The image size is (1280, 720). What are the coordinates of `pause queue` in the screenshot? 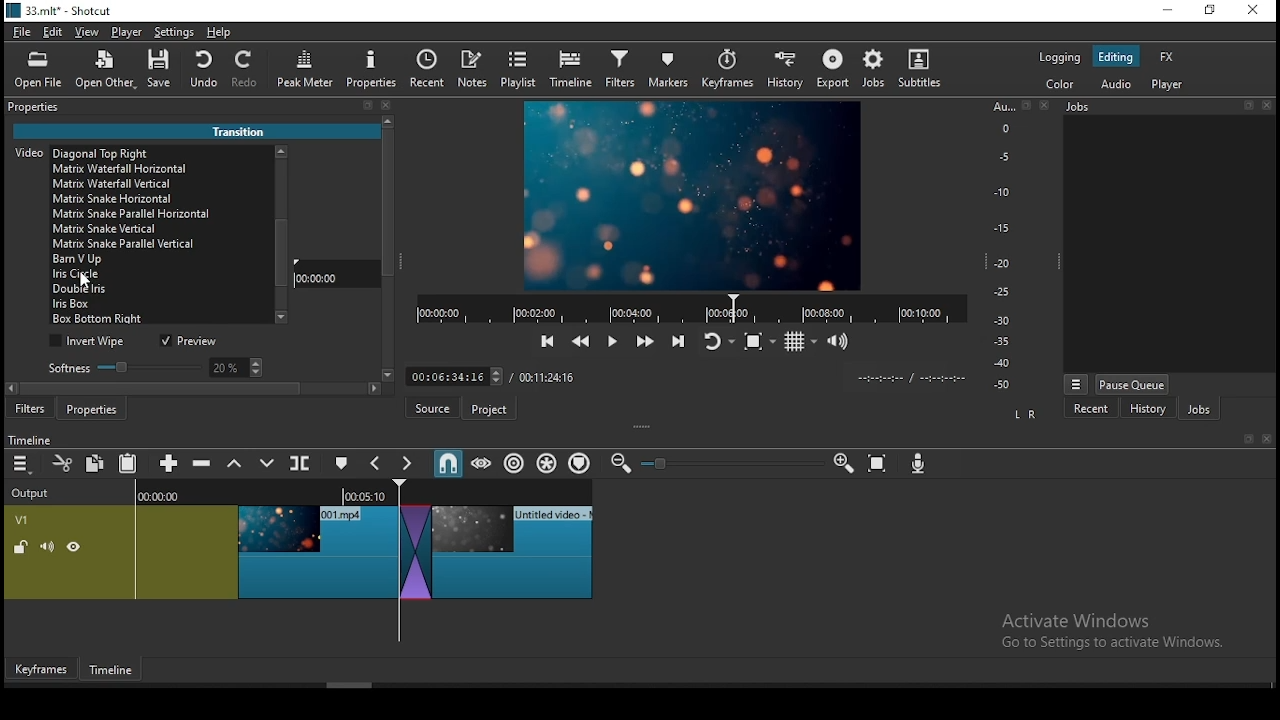 It's located at (1131, 384).